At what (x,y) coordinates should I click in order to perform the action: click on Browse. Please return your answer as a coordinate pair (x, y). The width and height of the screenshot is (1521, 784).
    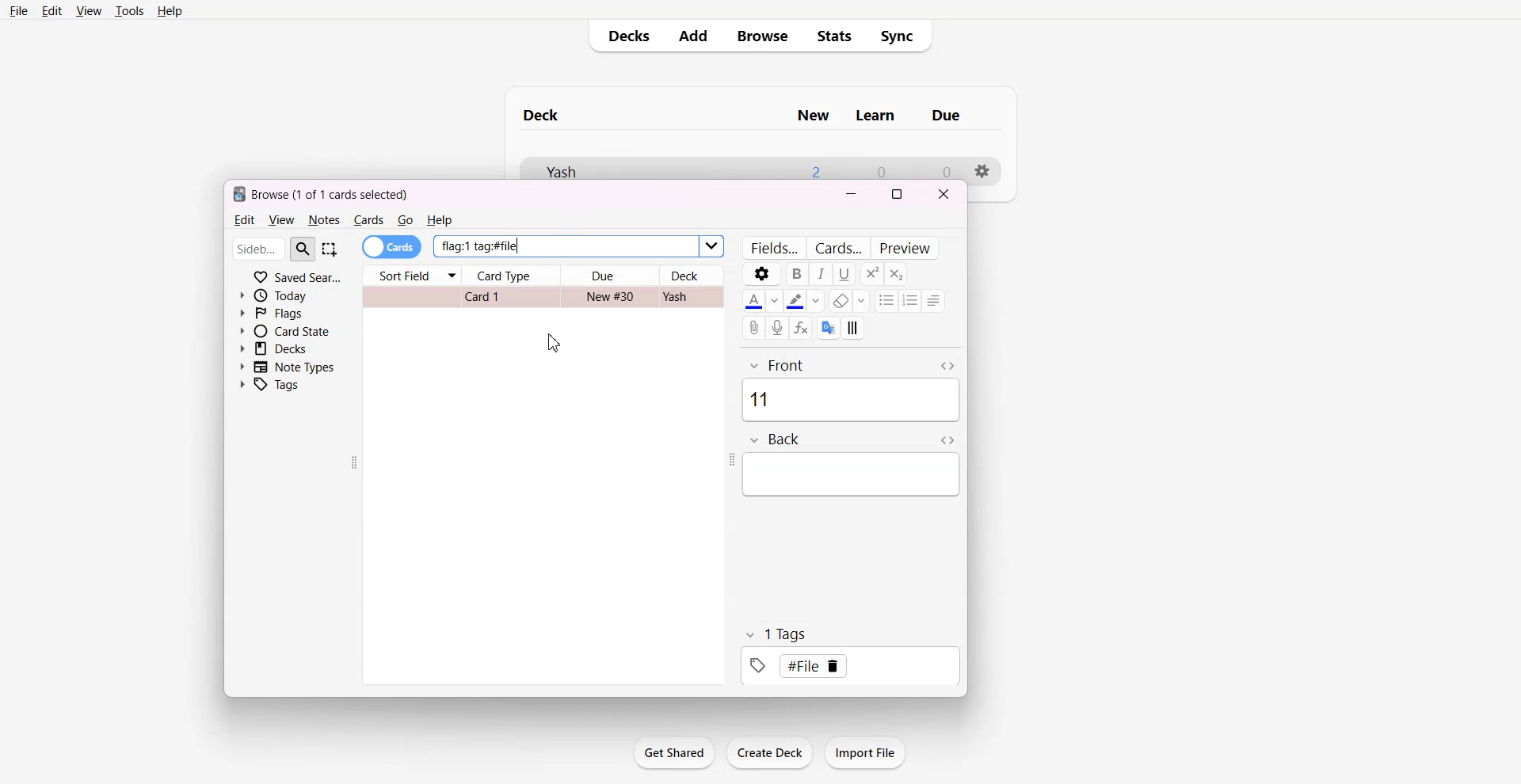
    Looking at the image, I should click on (764, 36).